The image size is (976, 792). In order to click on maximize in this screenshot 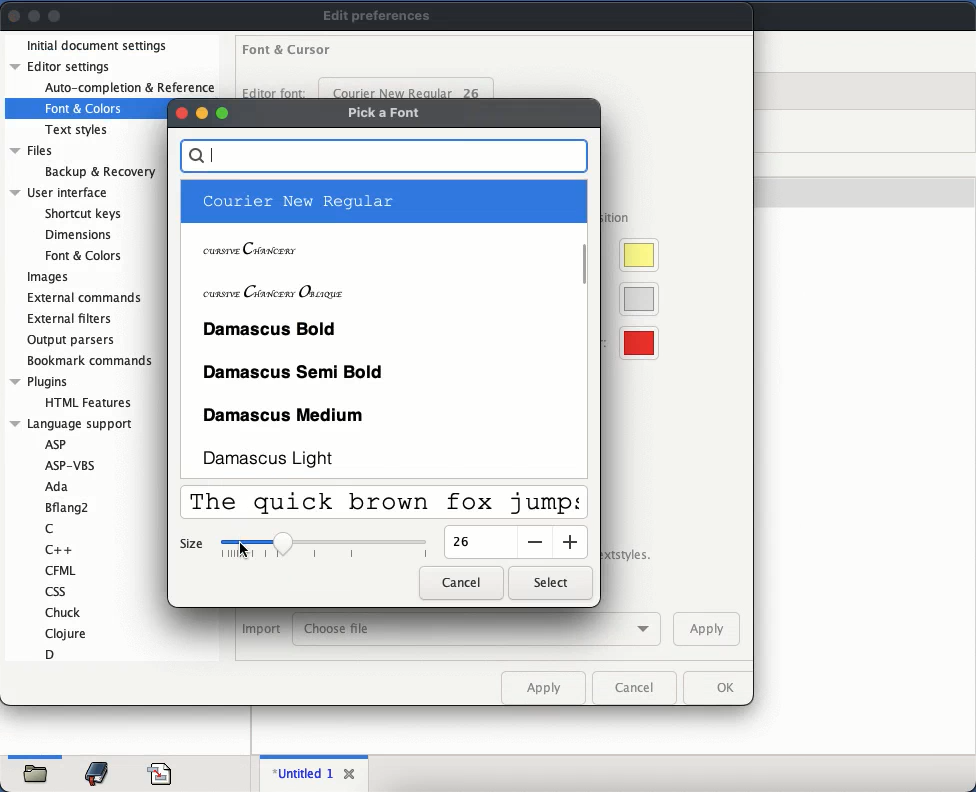, I will do `click(56, 15)`.